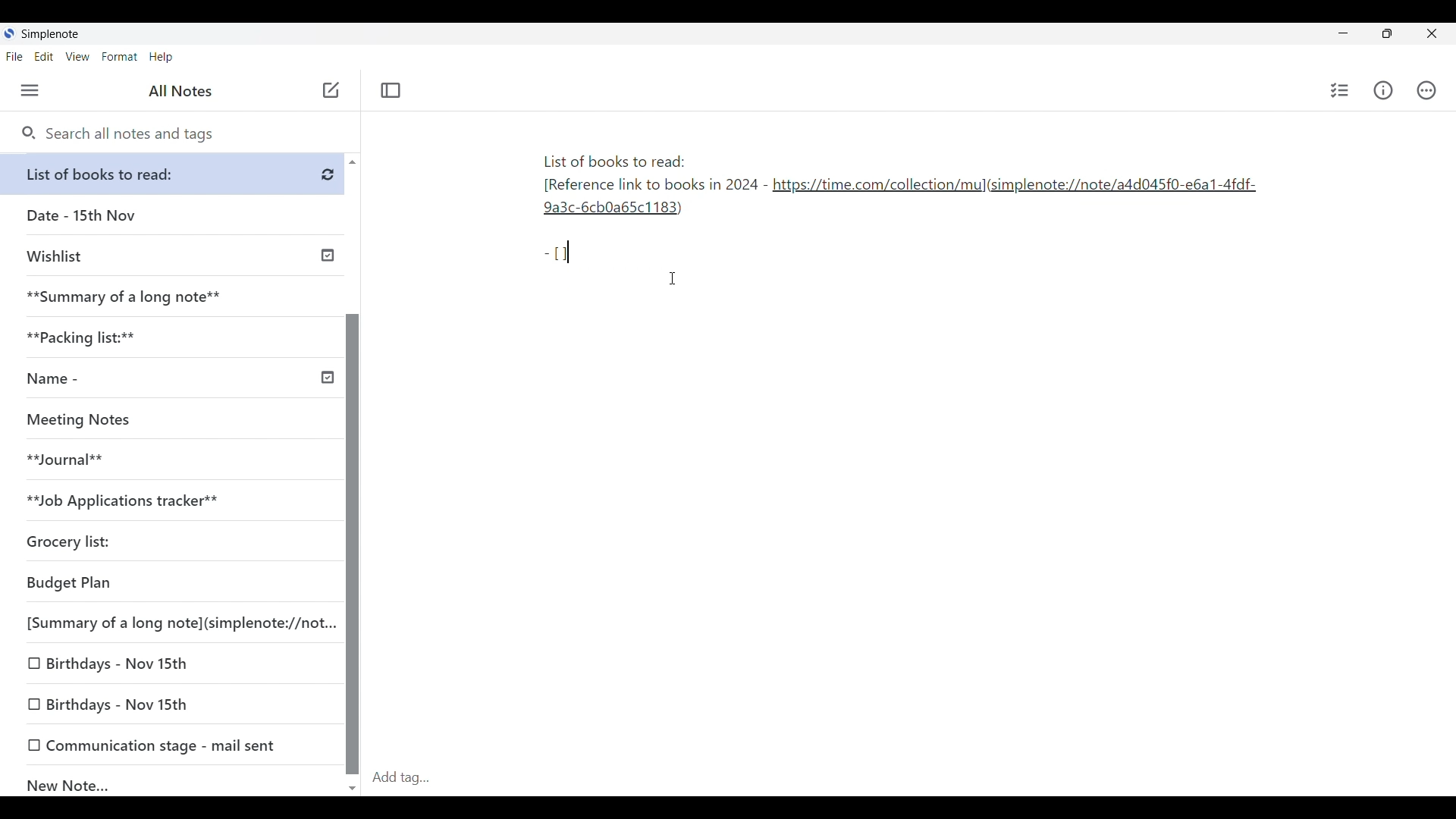  I want to click on Help , so click(162, 58).